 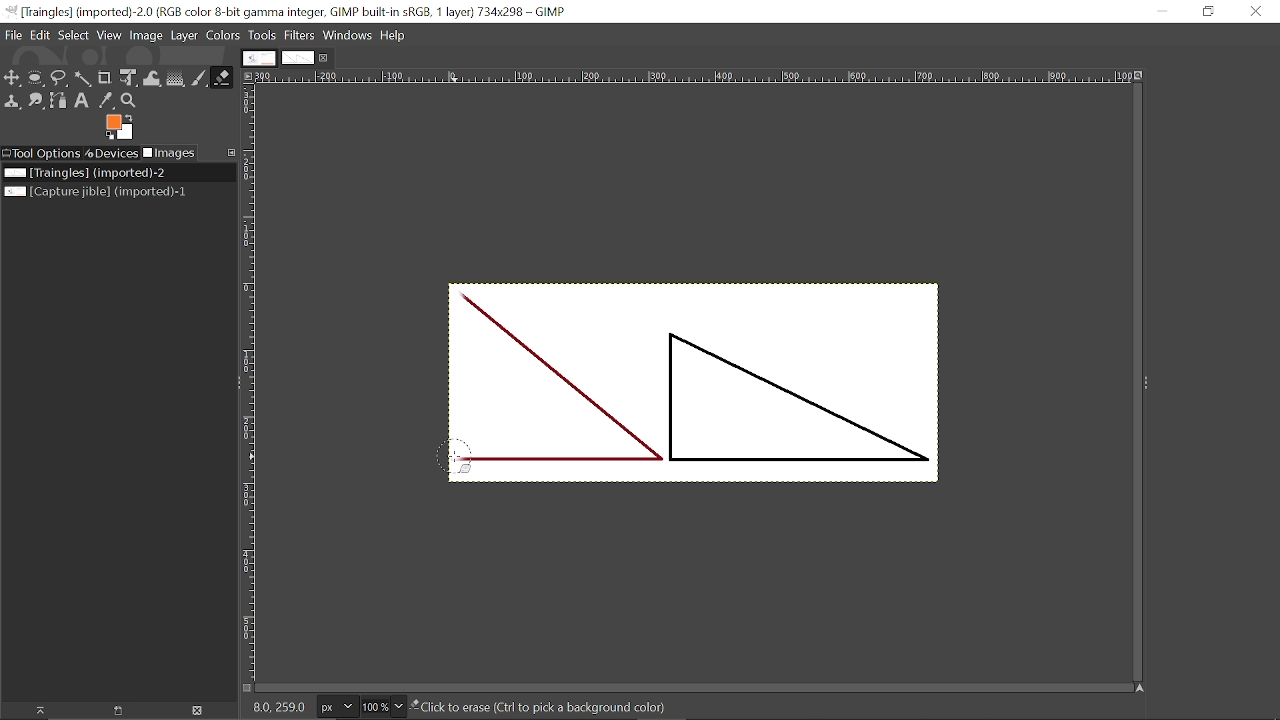 What do you see at coordinates (1162, 12) in the screenshot?
I see `Minimize` at bounding box center [1162, 12].